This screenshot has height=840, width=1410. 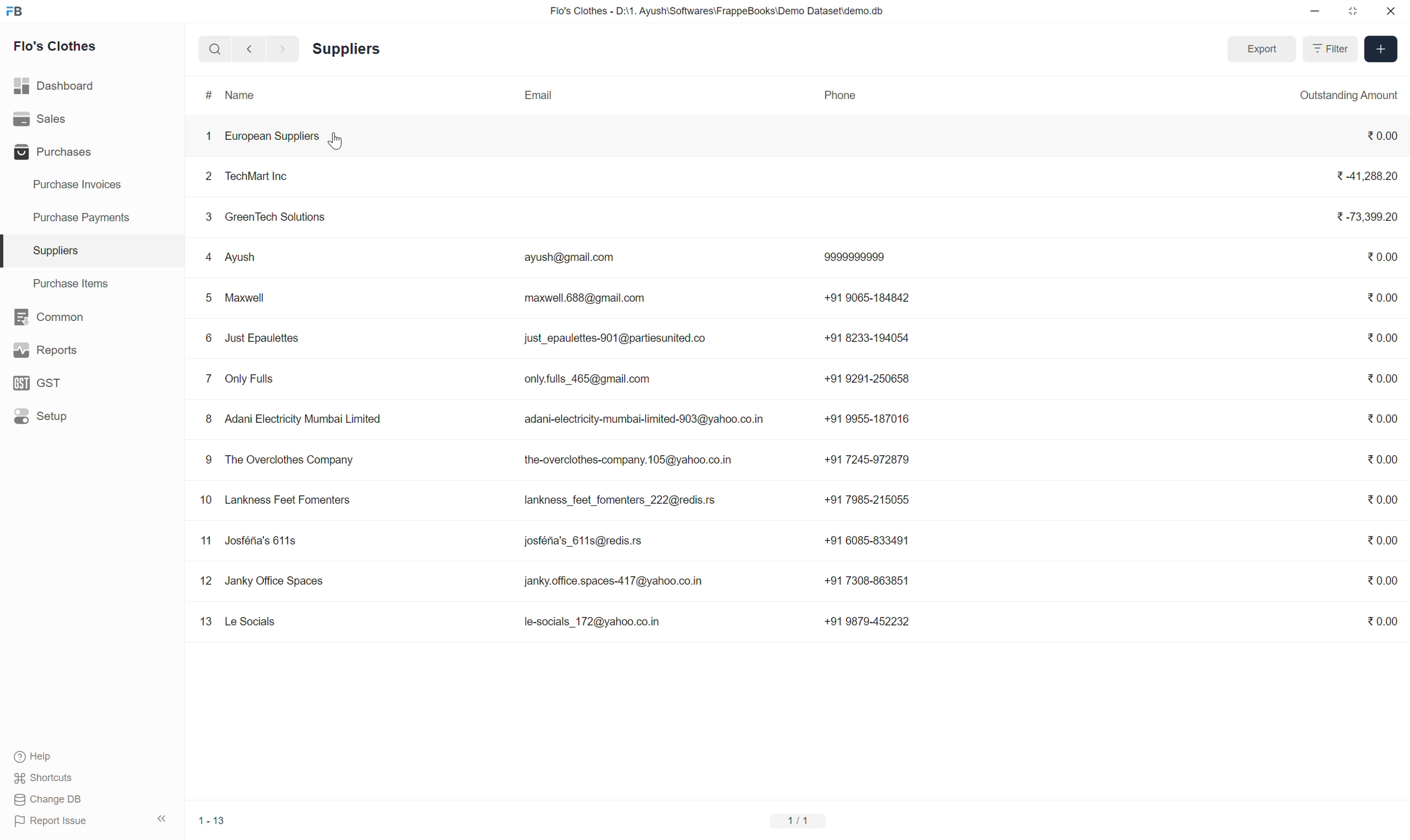 I want to click on %0.00, so click(x=1371, y=338).